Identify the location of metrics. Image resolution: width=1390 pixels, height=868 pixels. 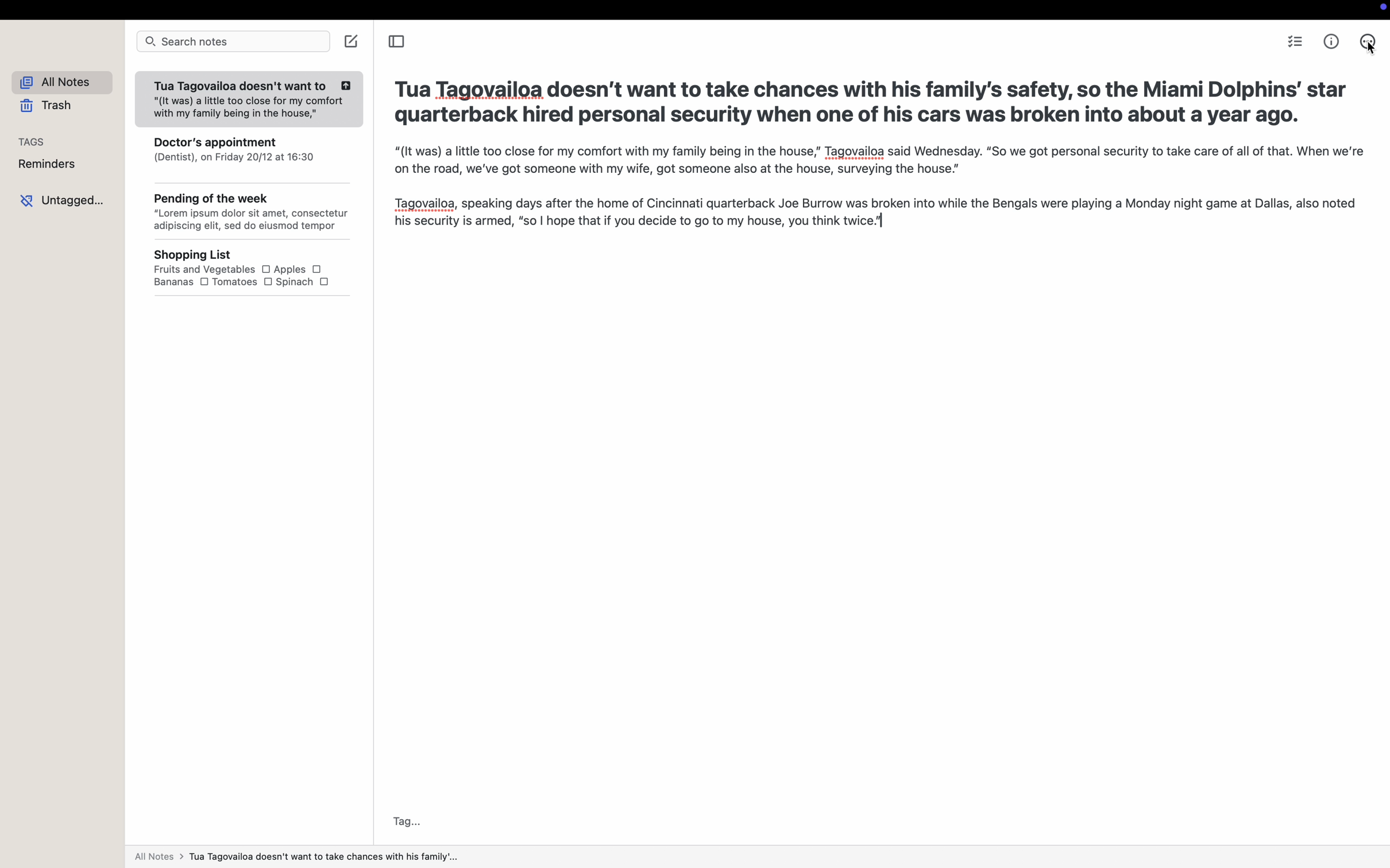
(1331, 41).